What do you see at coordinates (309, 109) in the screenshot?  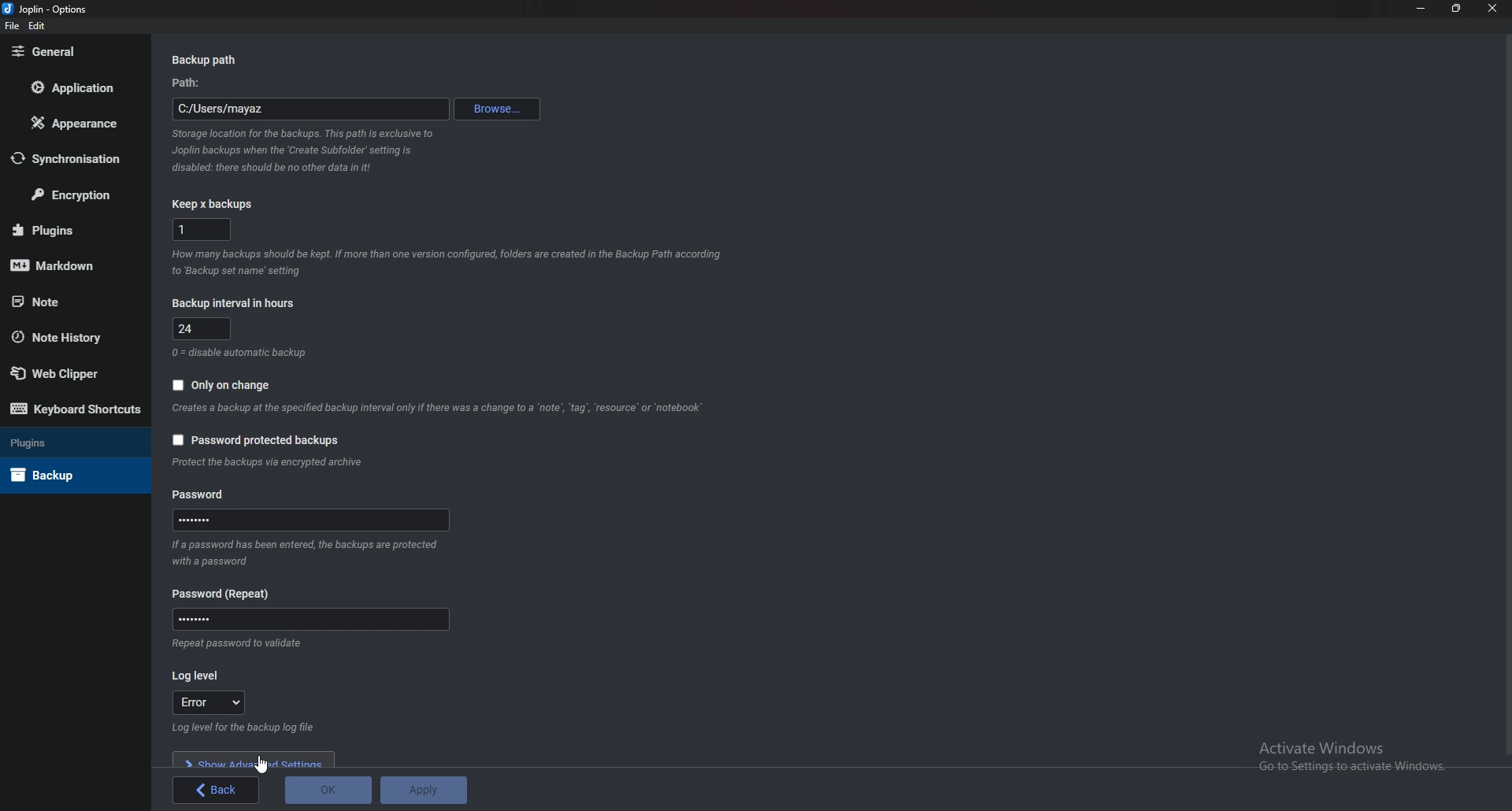 I see `path` at bounding box center [309, 109].